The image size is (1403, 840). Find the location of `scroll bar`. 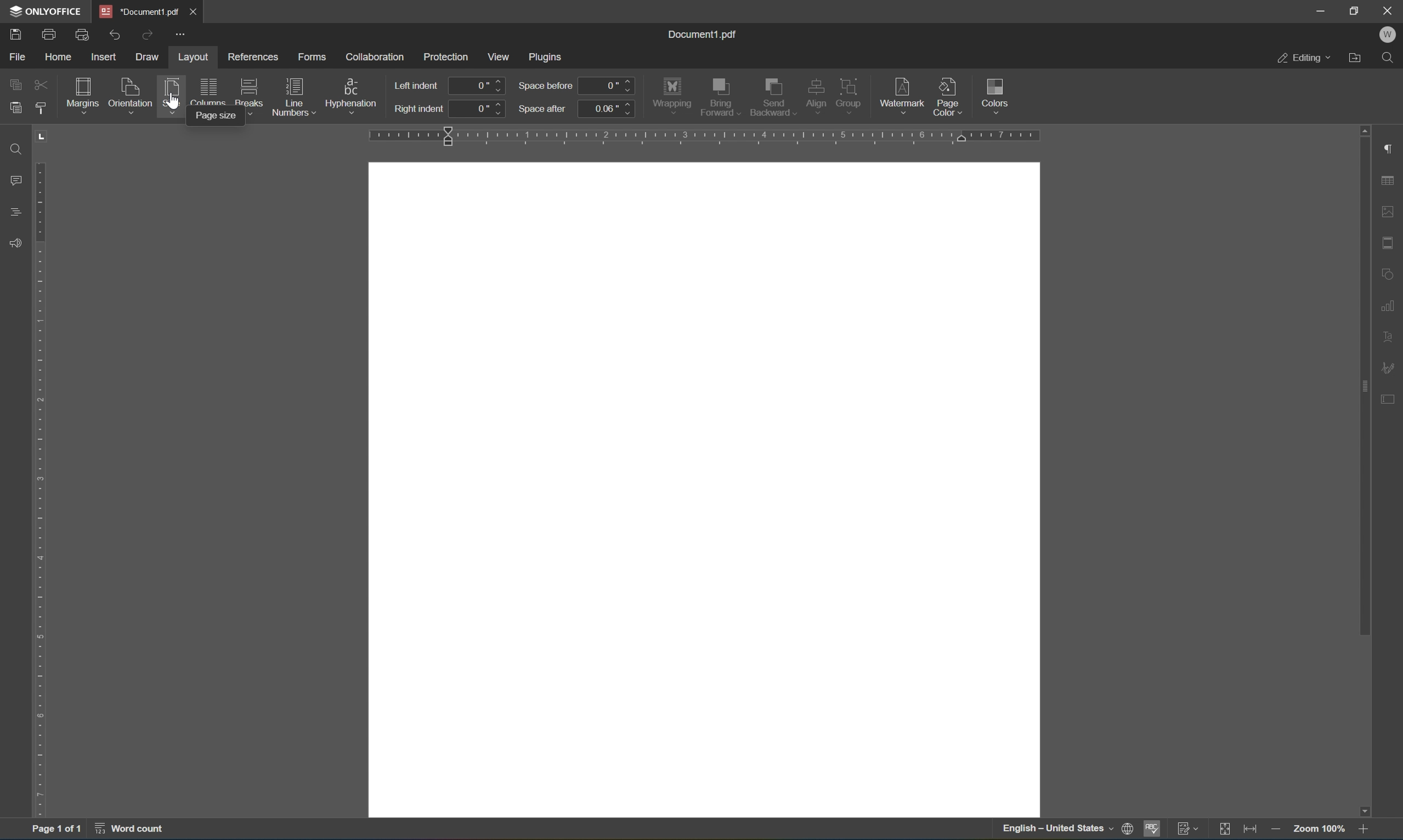

scroll bar is located at coordinates (1364, 470).